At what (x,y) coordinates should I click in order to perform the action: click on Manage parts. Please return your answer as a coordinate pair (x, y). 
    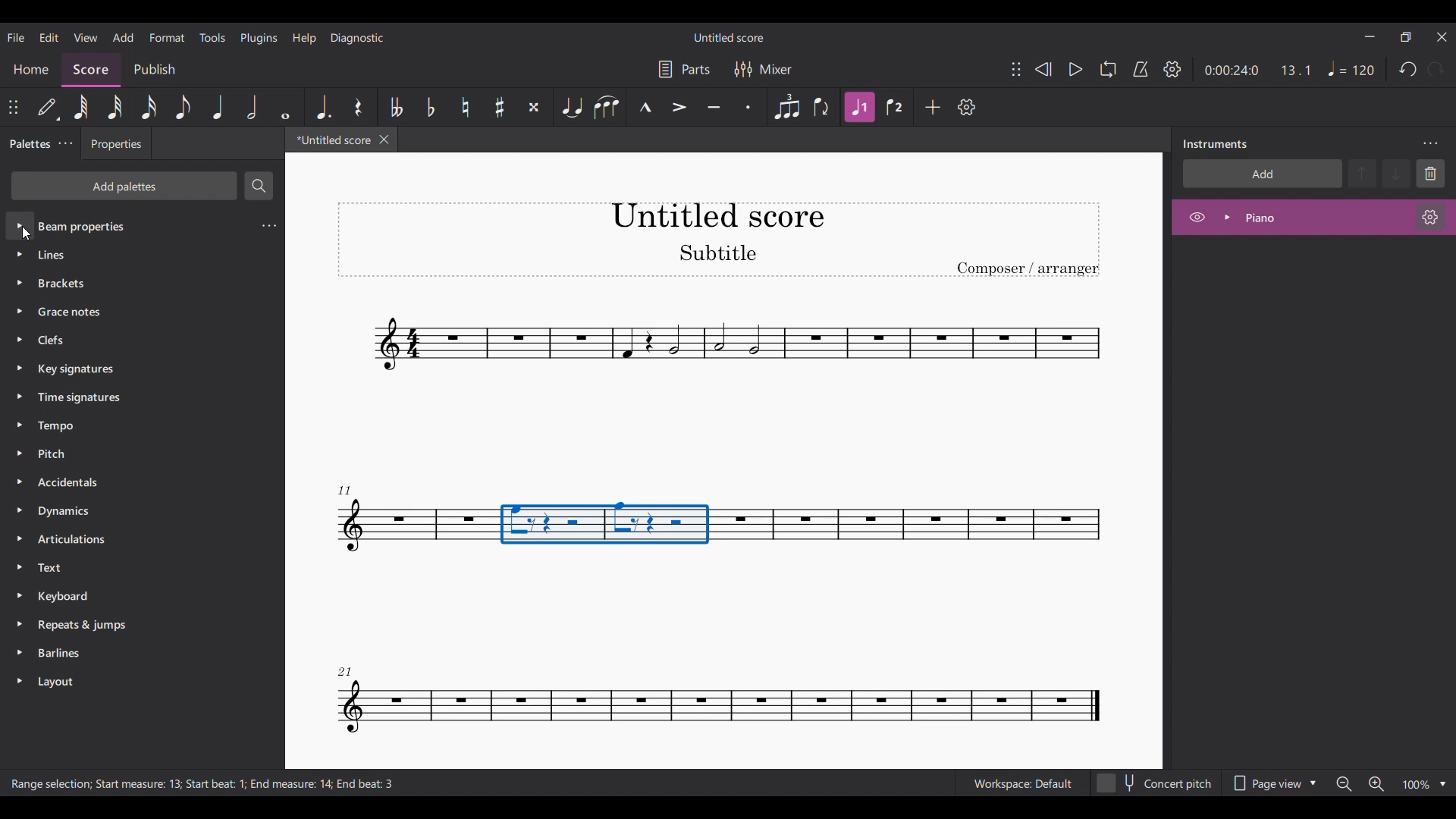
    Looking at the image, I should click on (684, 69).